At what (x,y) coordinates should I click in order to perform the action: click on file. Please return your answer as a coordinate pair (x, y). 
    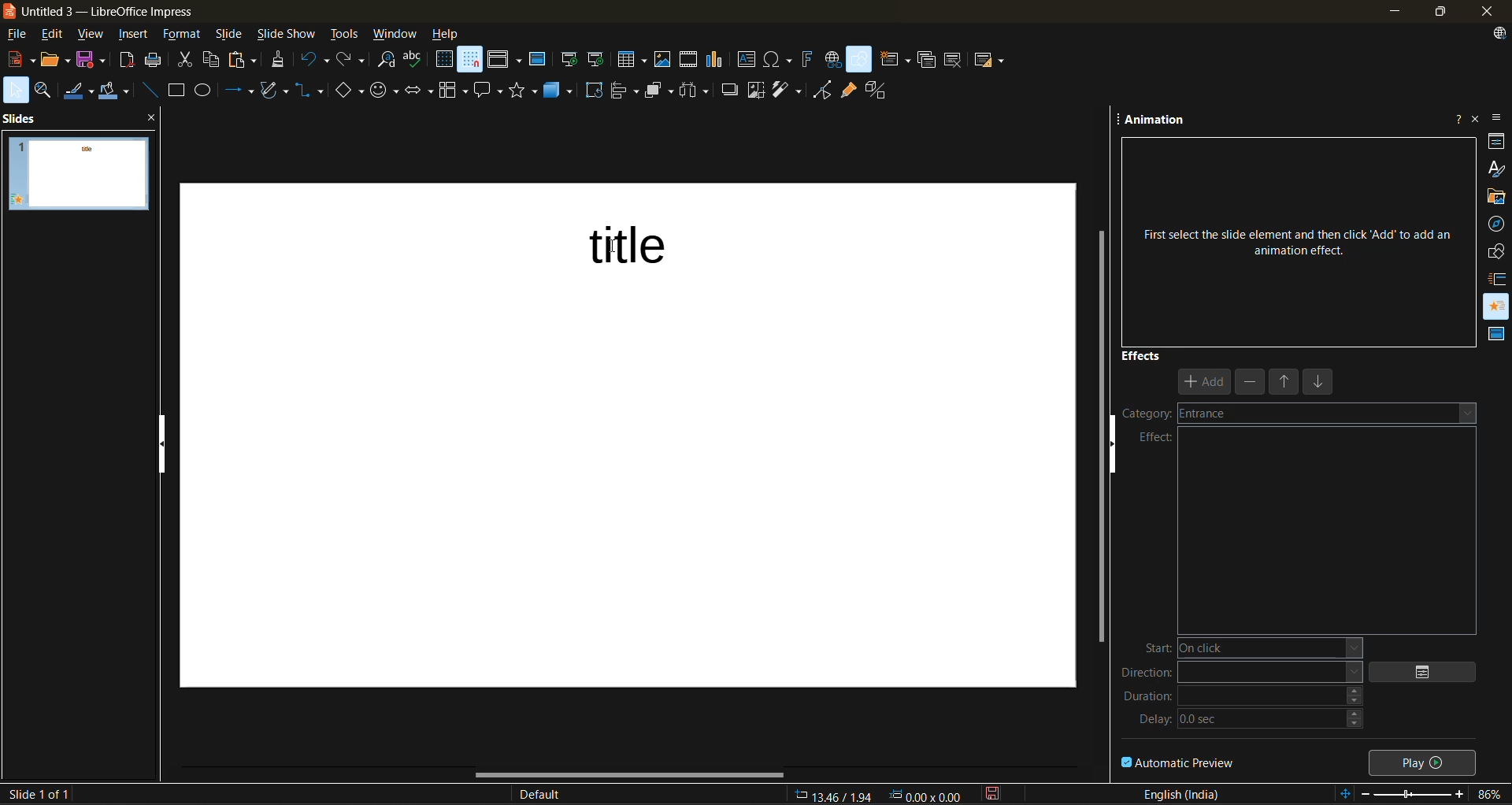
    Looking at the image, I should click on (21, 35).